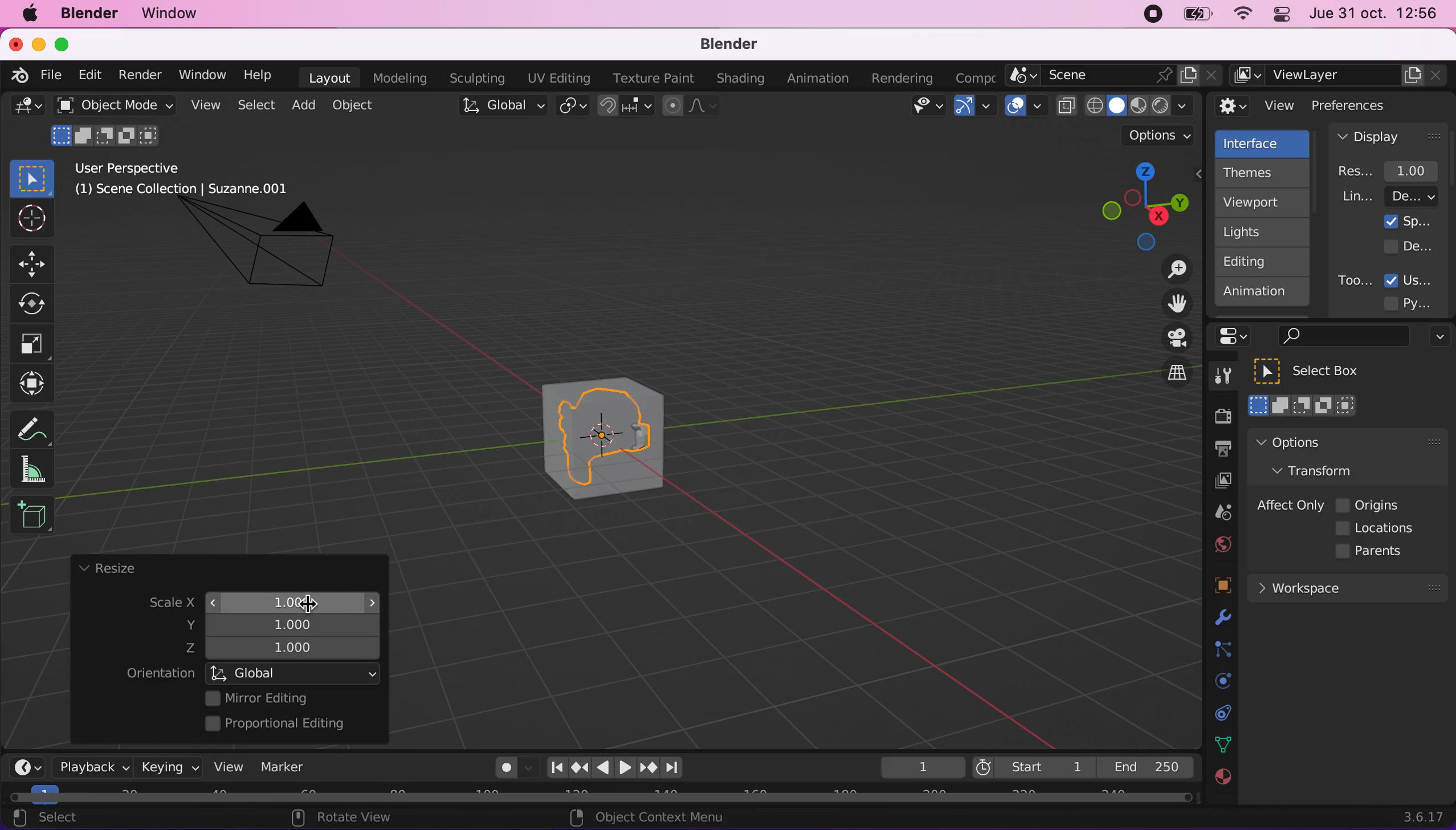 The image size is (1456, 830). I want to click on general, so click(27, 109).